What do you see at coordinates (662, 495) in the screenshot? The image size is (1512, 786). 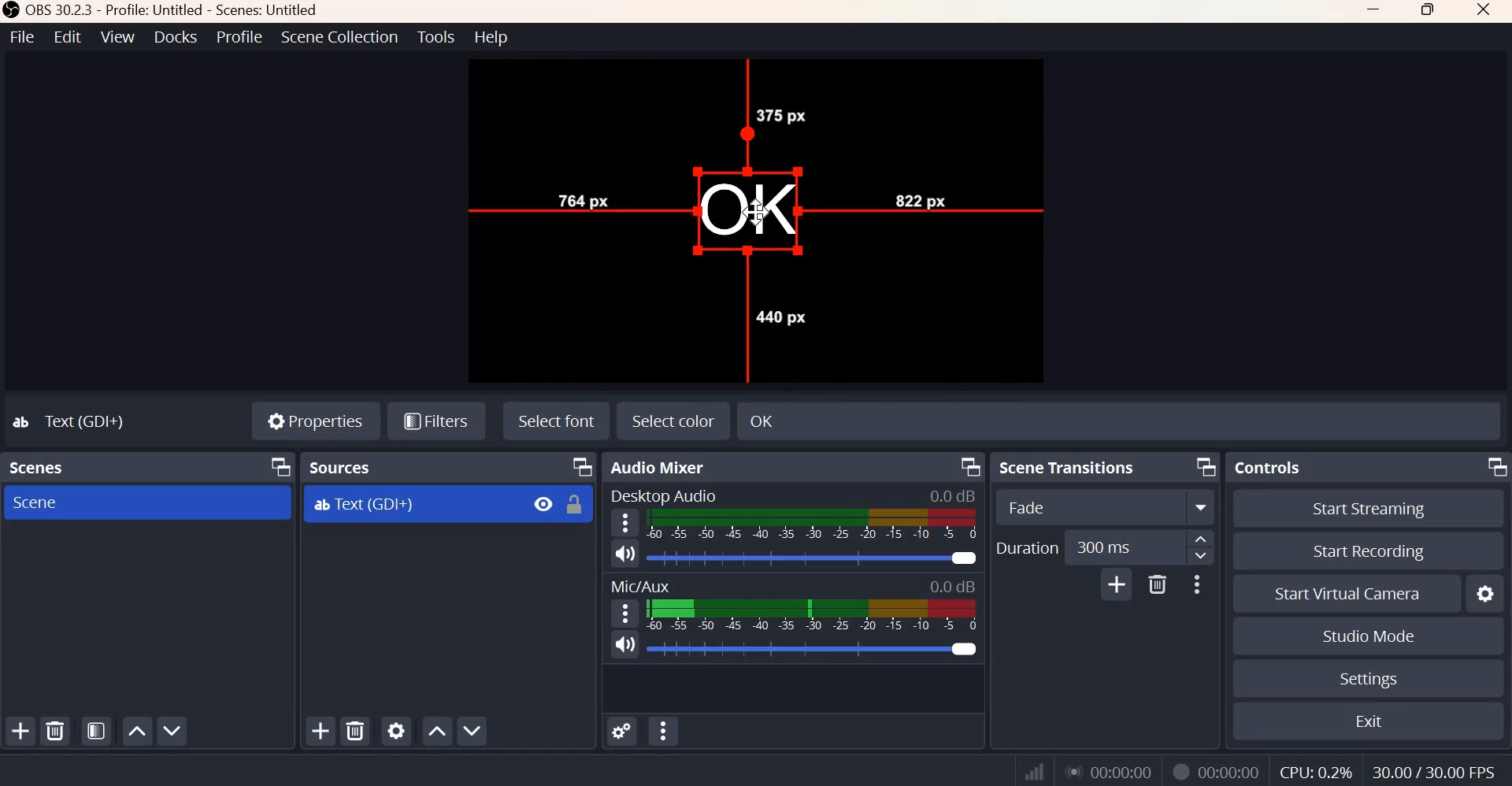 I see `Desktop Audio` at bounding box center [662, 495].